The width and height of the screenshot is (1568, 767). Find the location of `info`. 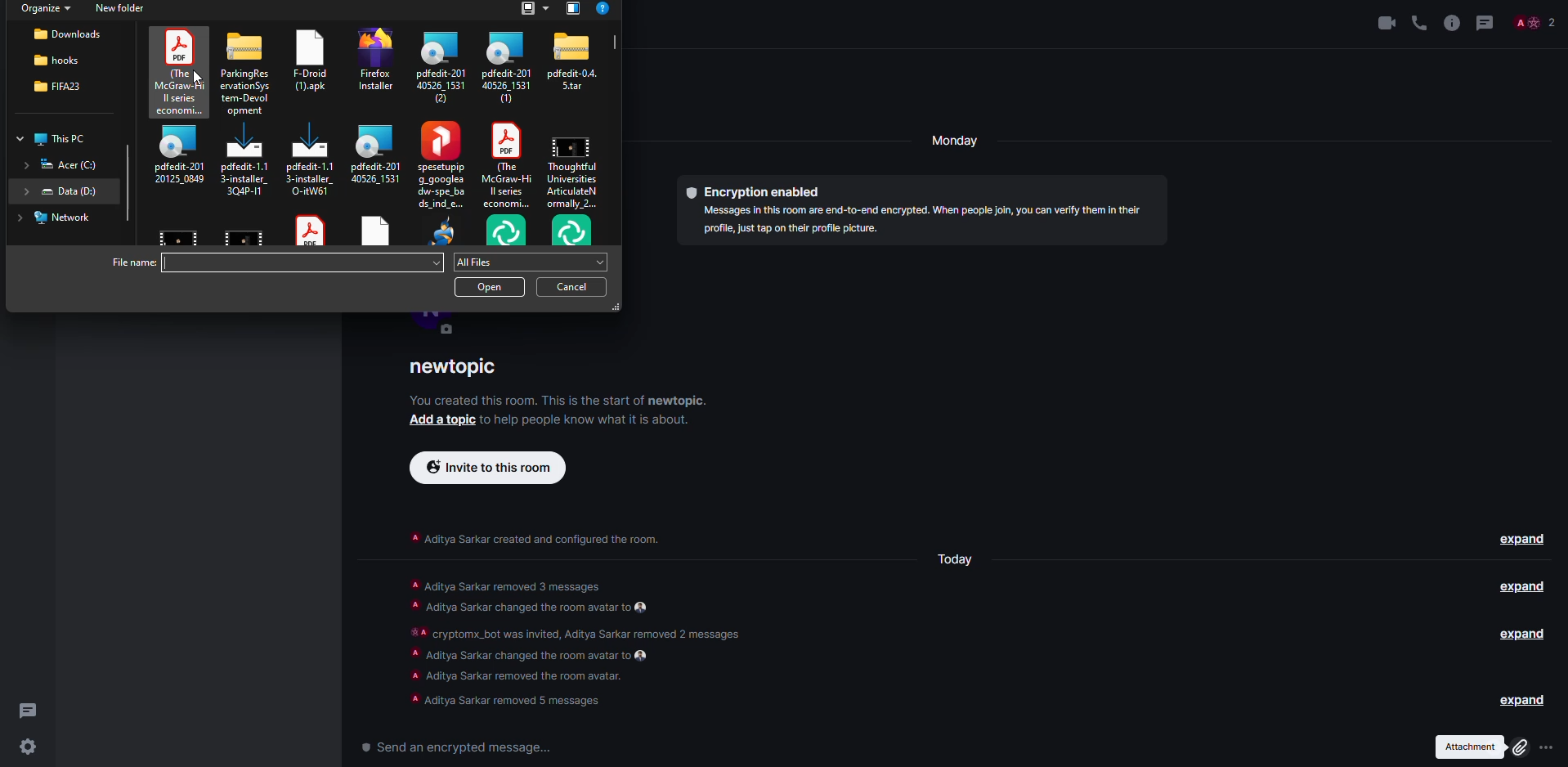

info is located at coordinates (539, 536).